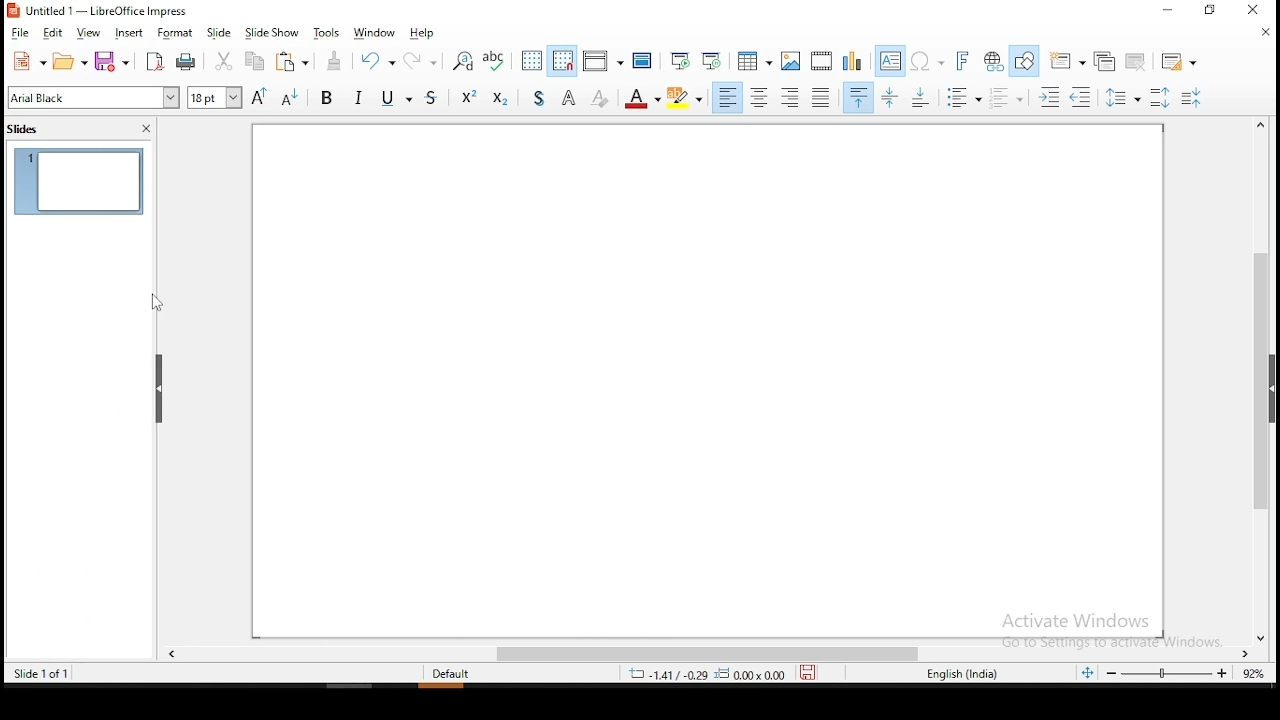  Describe the element at coordinates (149, 128) in the screenshot. I see `close pane` at that location.